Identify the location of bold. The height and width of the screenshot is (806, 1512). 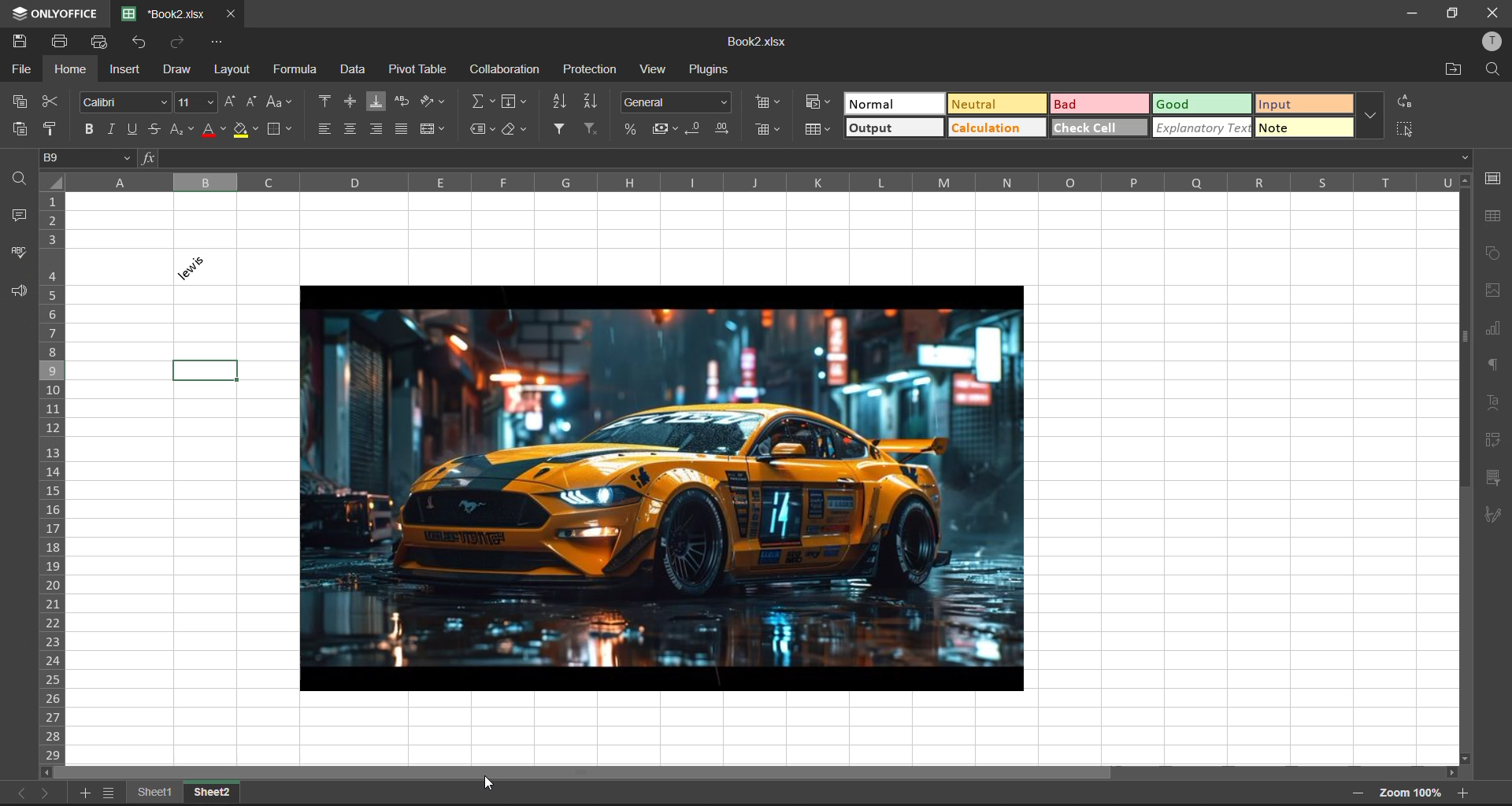
(92, 128).